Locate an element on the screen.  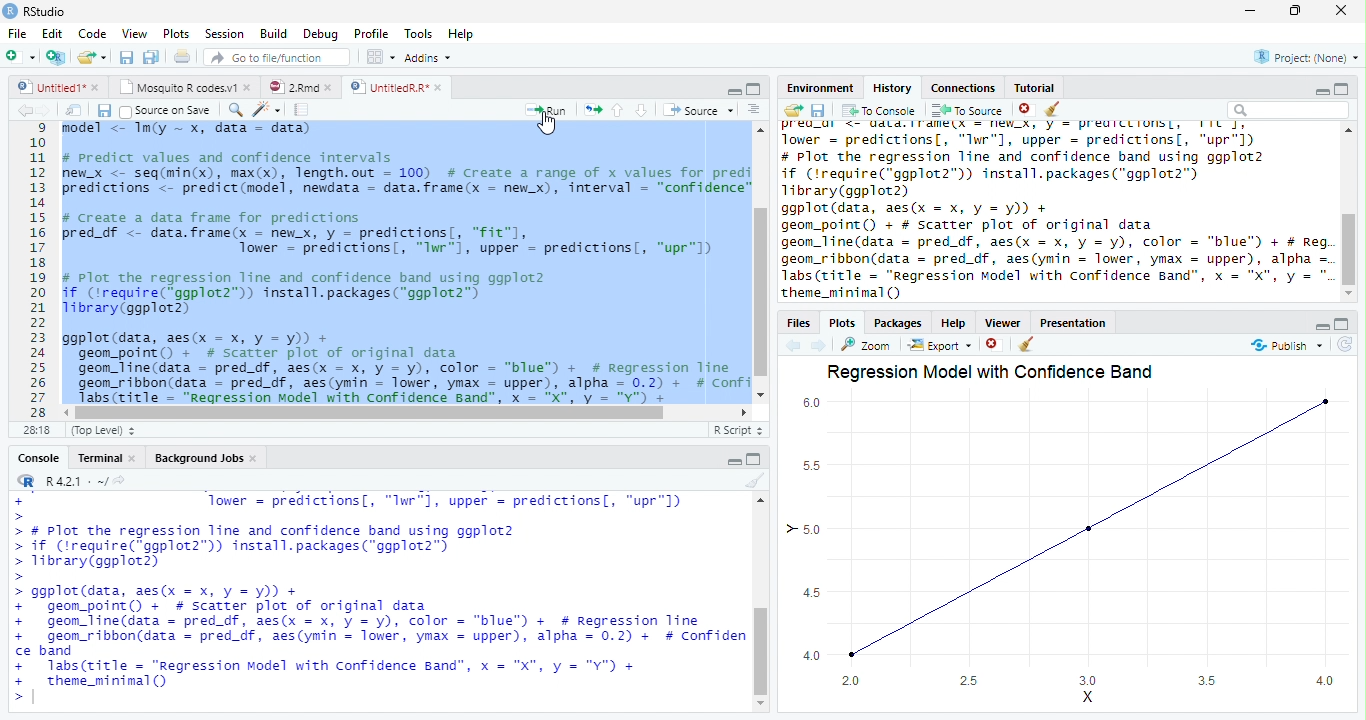
Load workspace is located at coordinates (793, 113).